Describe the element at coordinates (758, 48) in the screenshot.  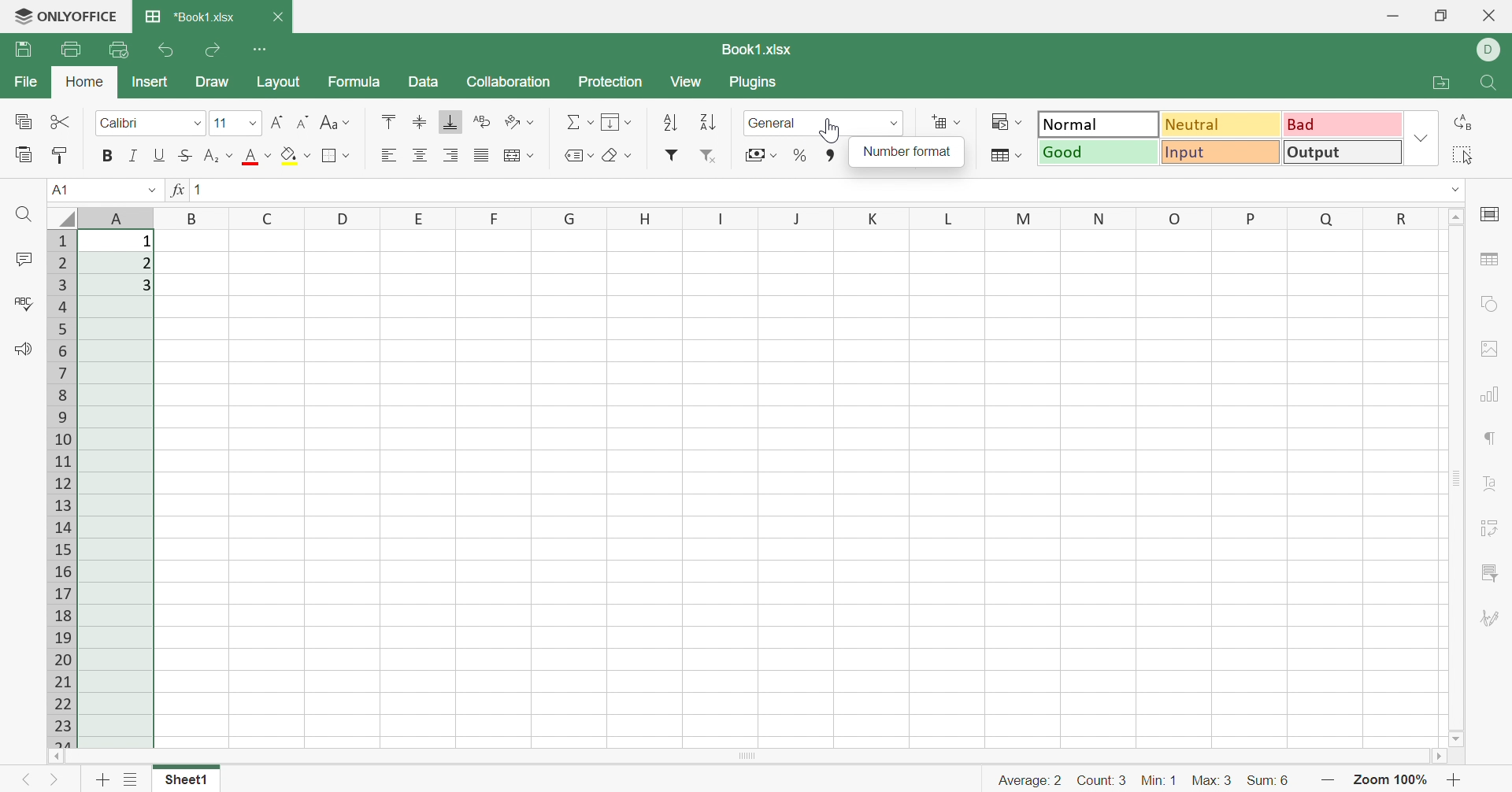
I see `Book1.xlsx` at that location.